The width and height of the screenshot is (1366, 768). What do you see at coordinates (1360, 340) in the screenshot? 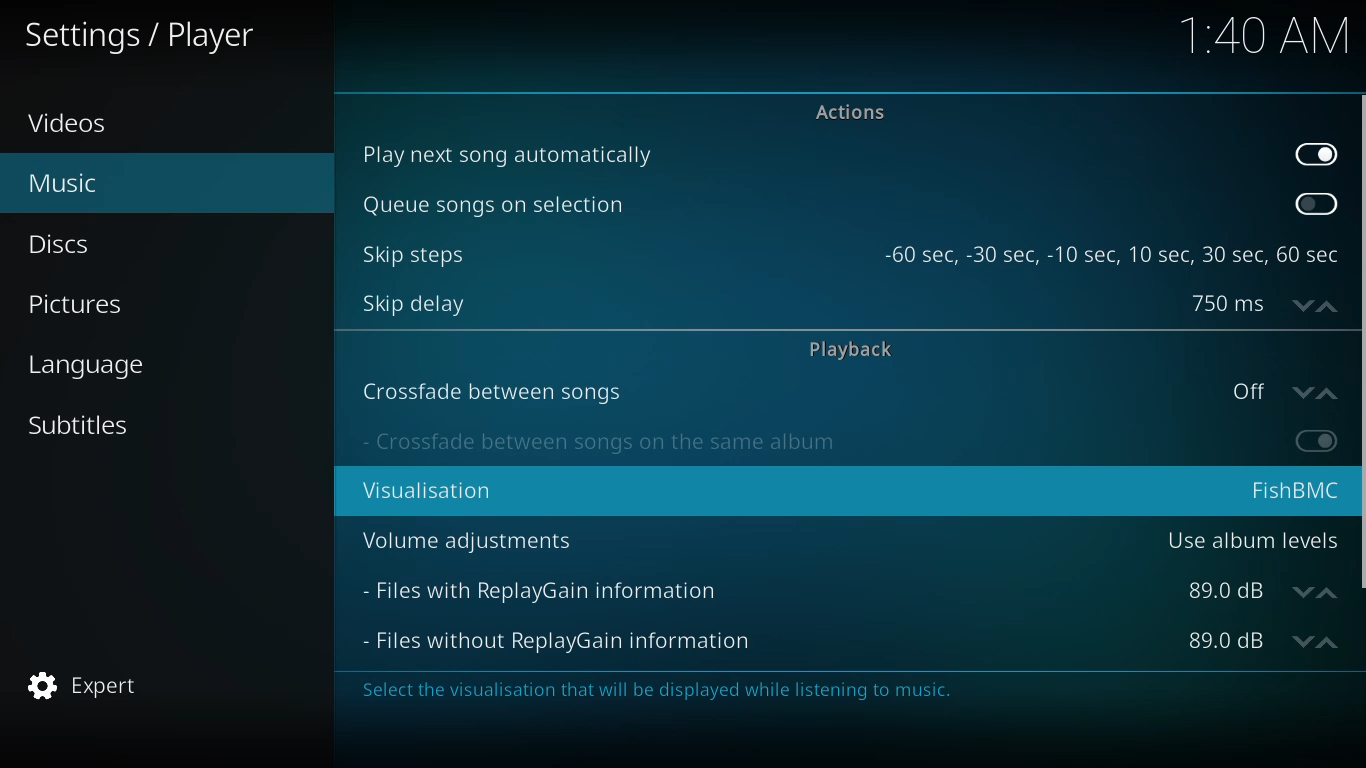
I see `scroll bar` at bounding box center [1360, 340].